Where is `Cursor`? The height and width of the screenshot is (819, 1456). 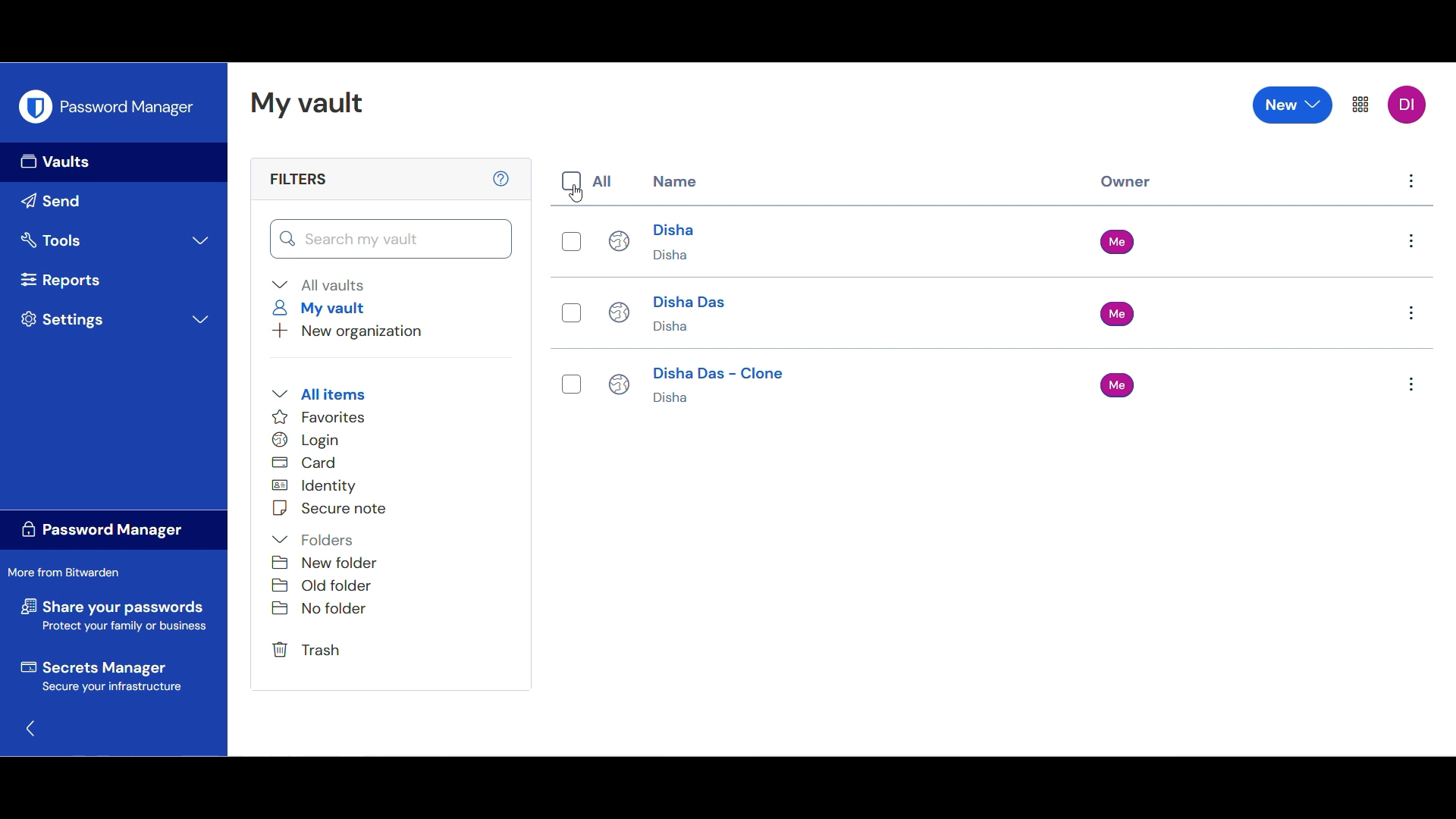 Cursor is located at coordinates (573, 195).